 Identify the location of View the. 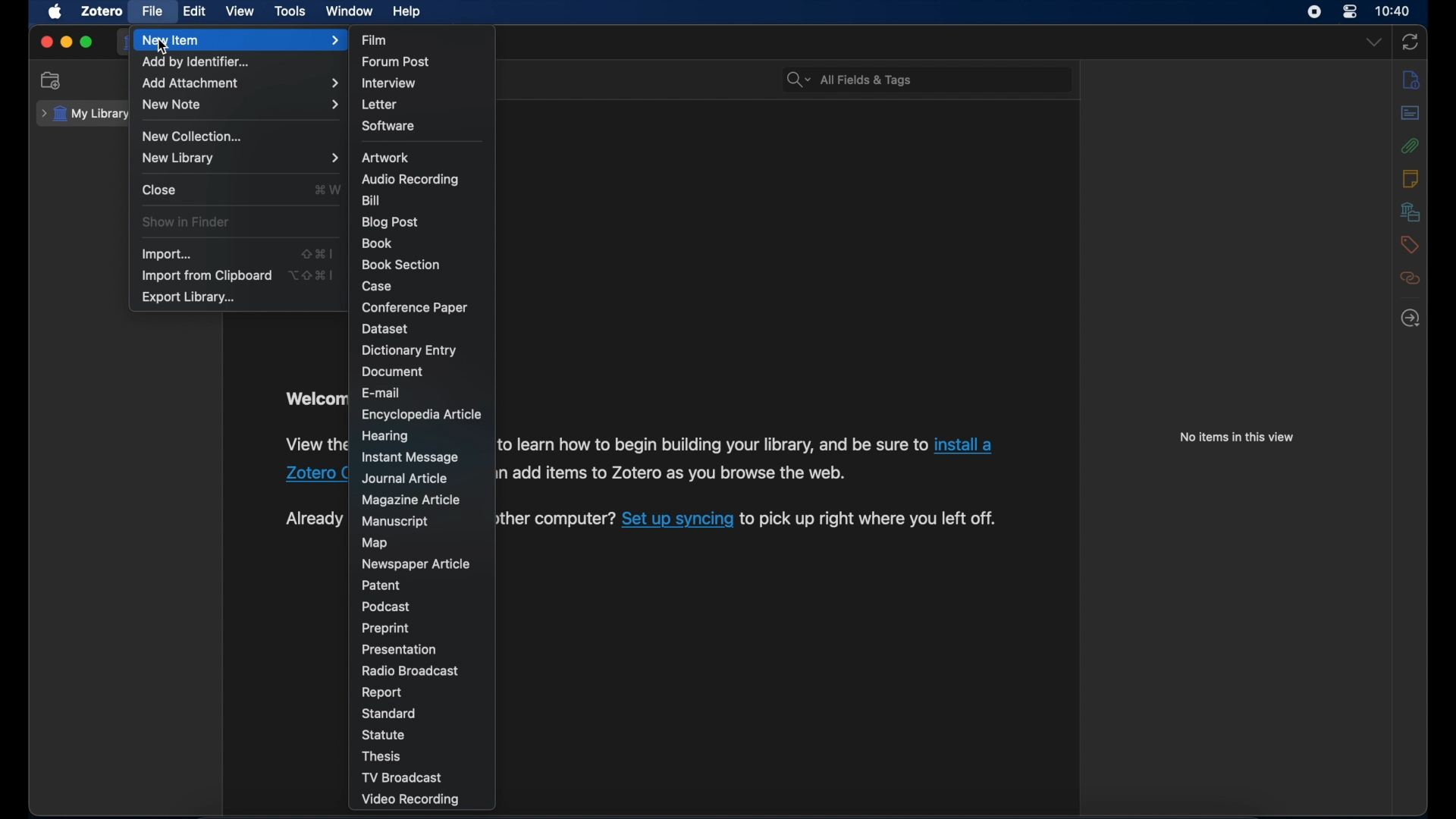
(314, 444).